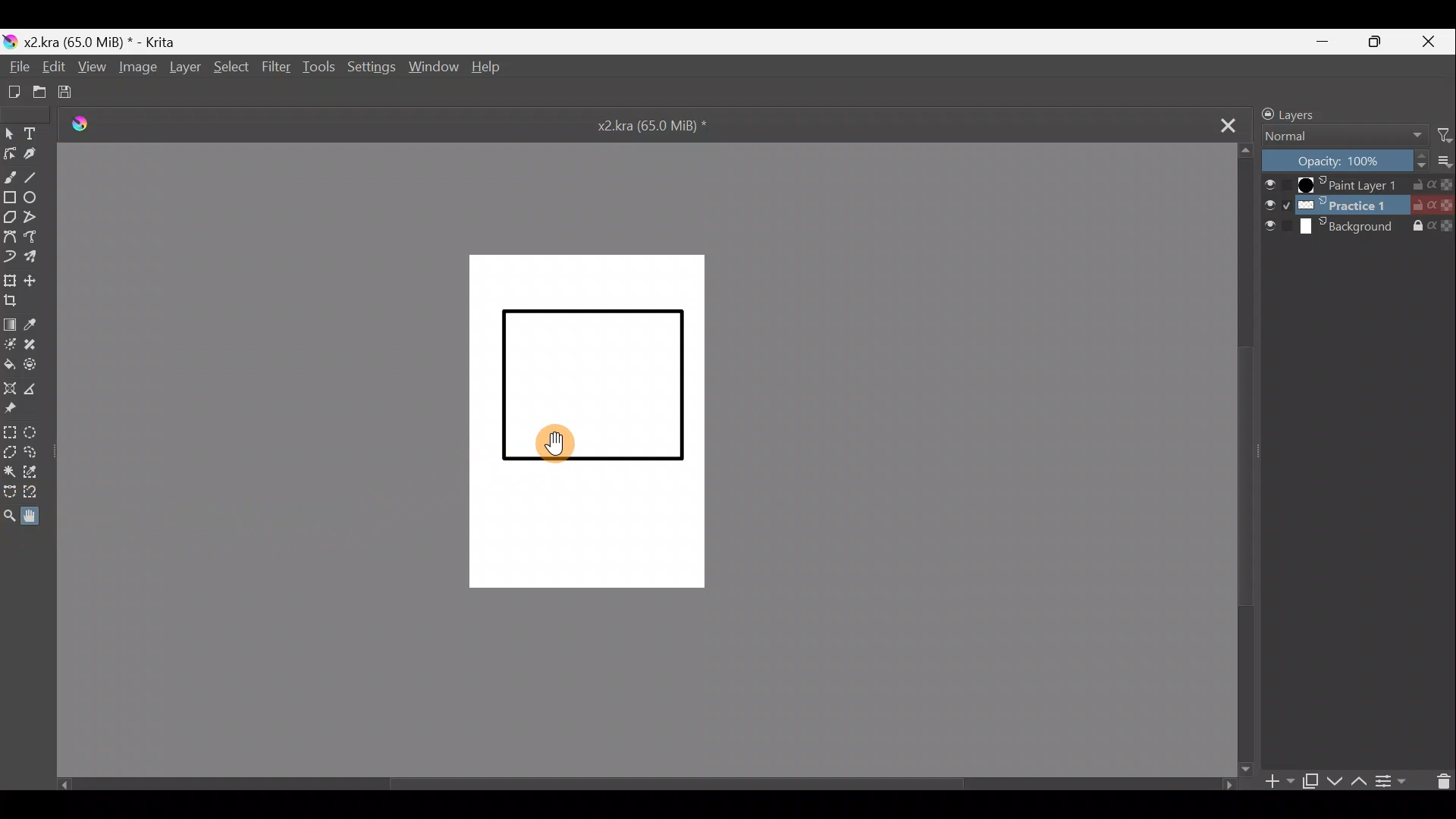  Describe the element at coordinates (10, 198) in the screenshot. I see `Rectangle tool` at that location.